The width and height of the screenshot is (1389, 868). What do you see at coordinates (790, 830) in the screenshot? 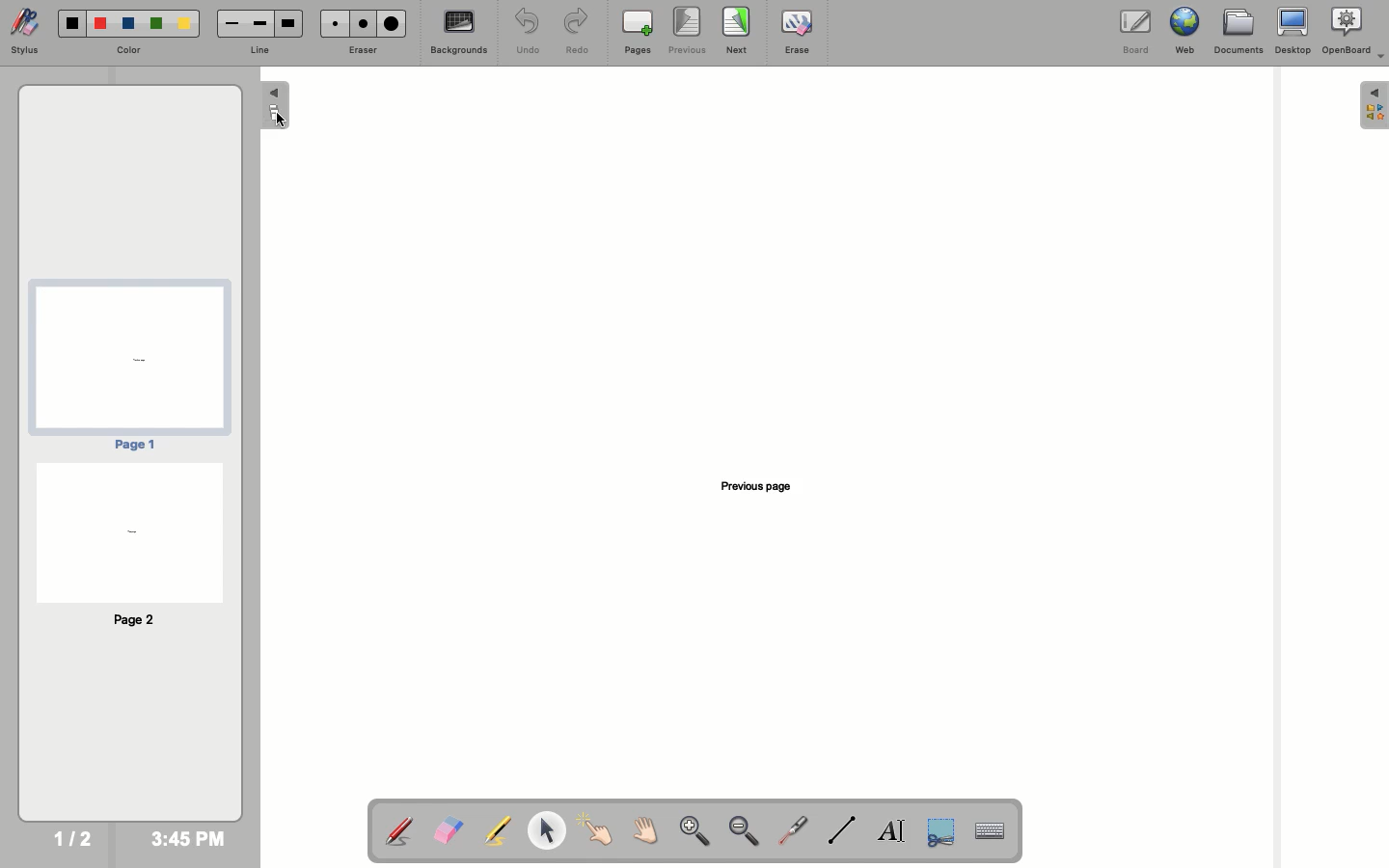
I see `Virtual laser pointer` at bounding box center [790, 830].